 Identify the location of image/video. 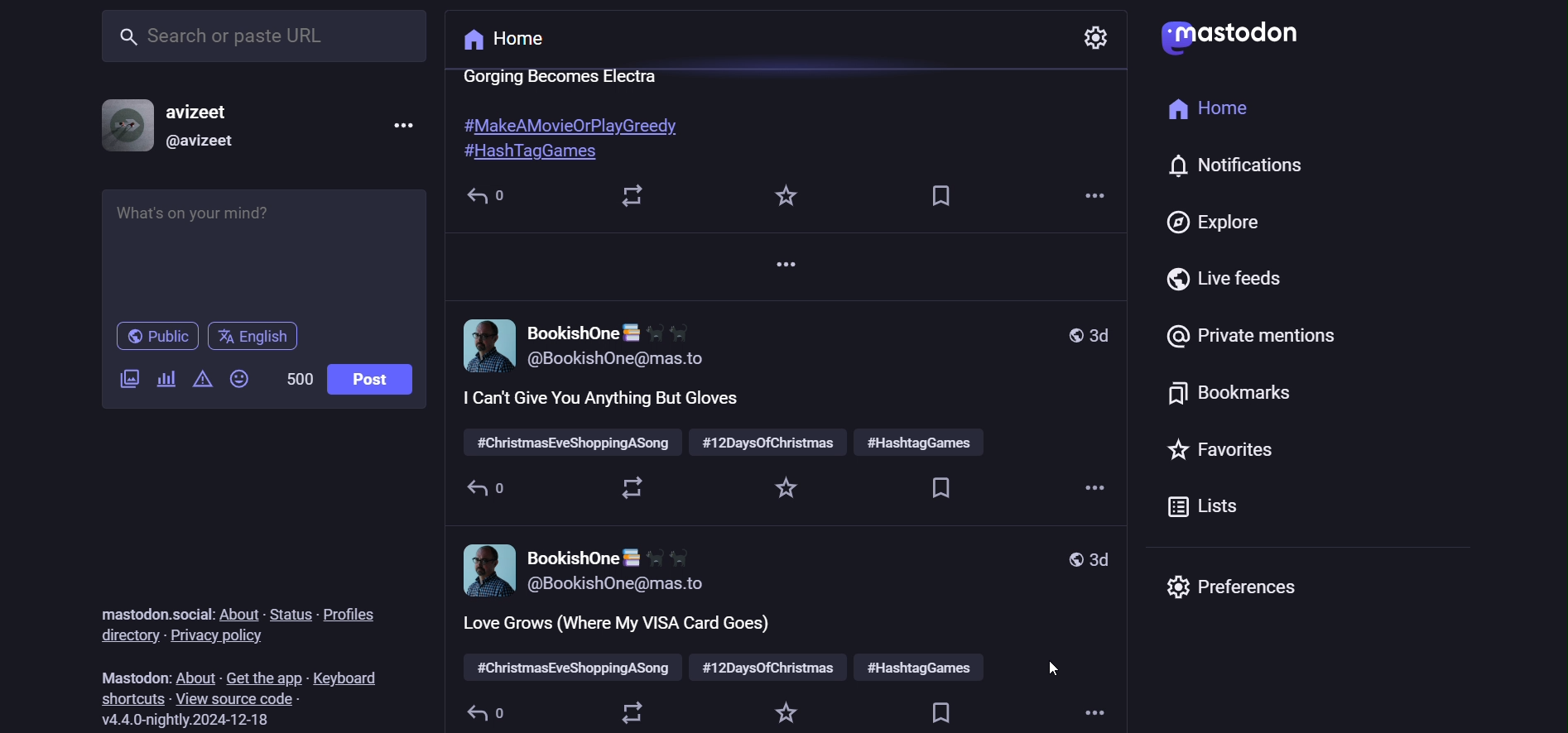
(127, 378).